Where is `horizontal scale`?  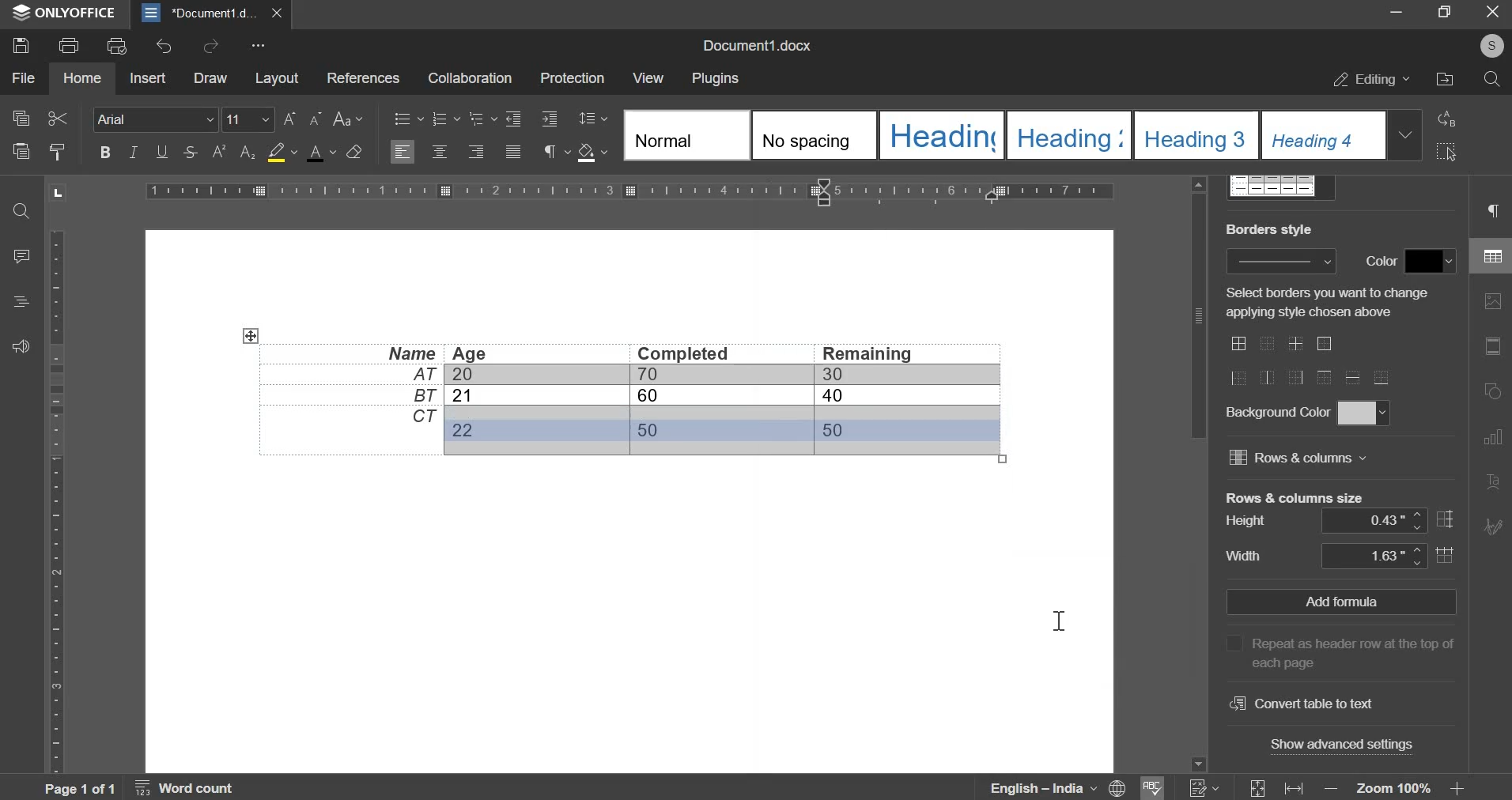
horizontal scale is located at coordinates (629, 191).